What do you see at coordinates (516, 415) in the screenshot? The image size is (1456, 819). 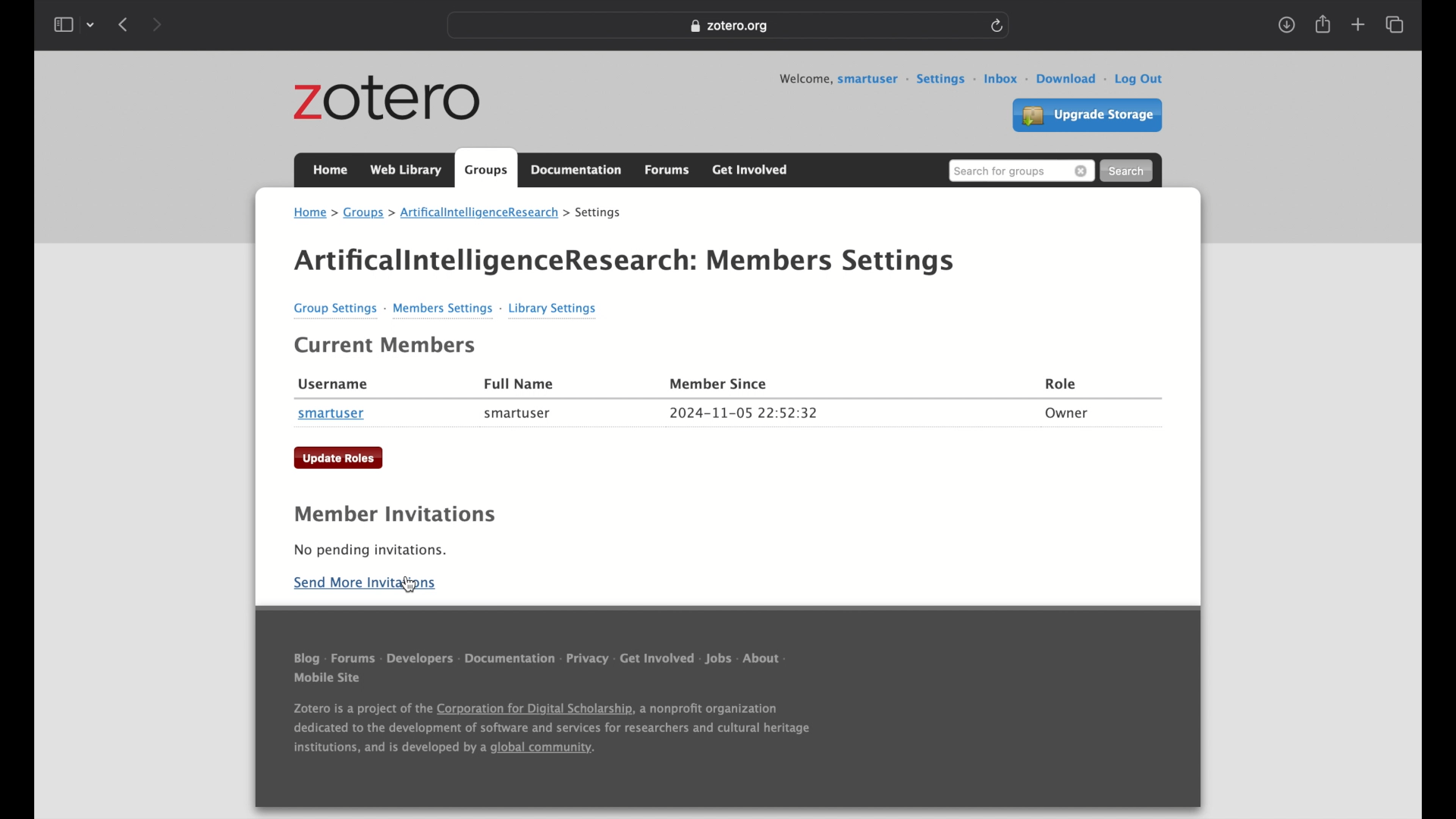 I see `smartuser` at bounding box center [516, 415].